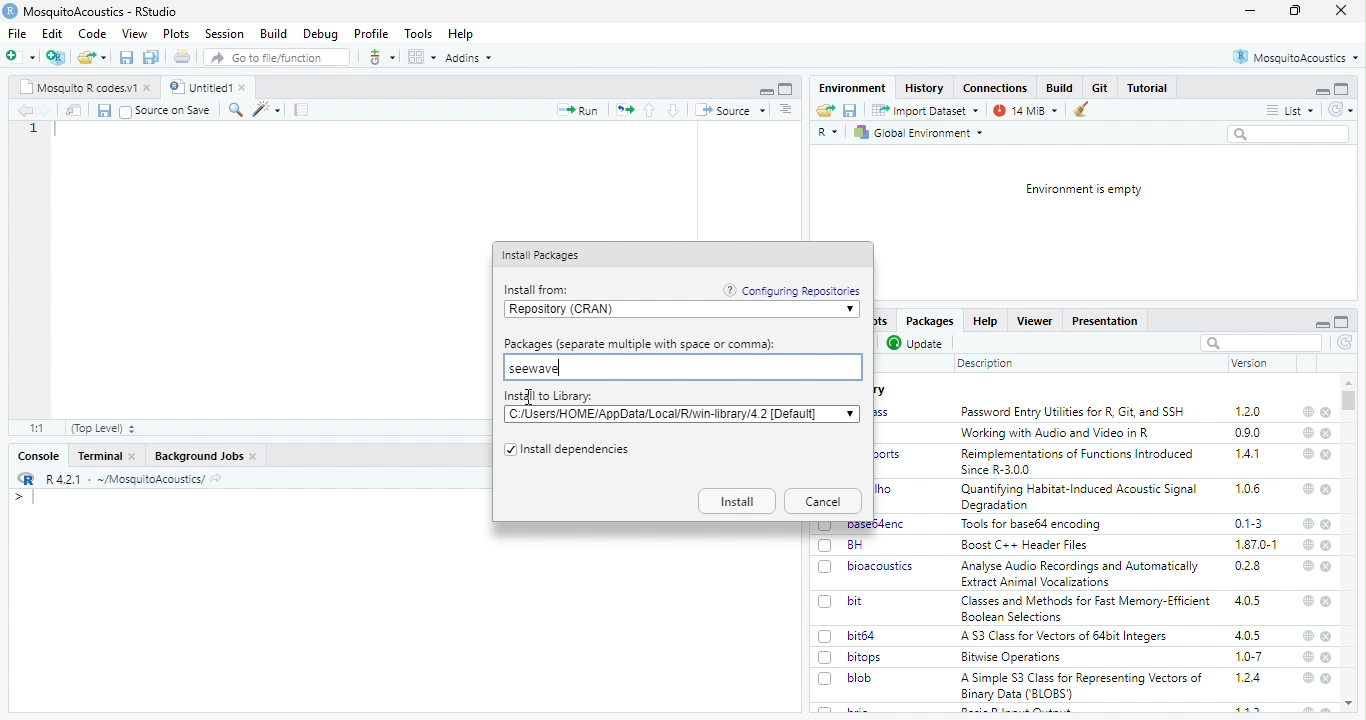 This screenshot has height=720, width=1366. What do you see at coordinates (917, 344) in the screenshot?
I see `update` at bounding box center [917, 344].